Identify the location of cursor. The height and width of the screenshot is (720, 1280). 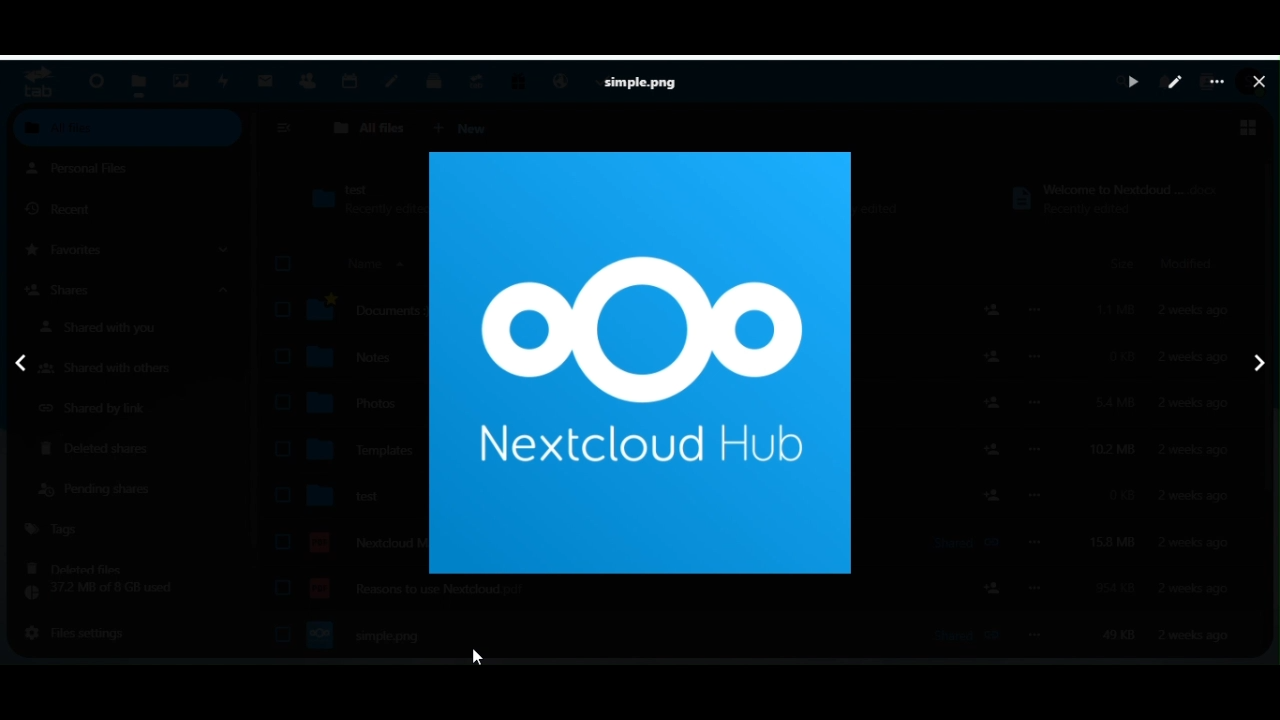
(480, 658).